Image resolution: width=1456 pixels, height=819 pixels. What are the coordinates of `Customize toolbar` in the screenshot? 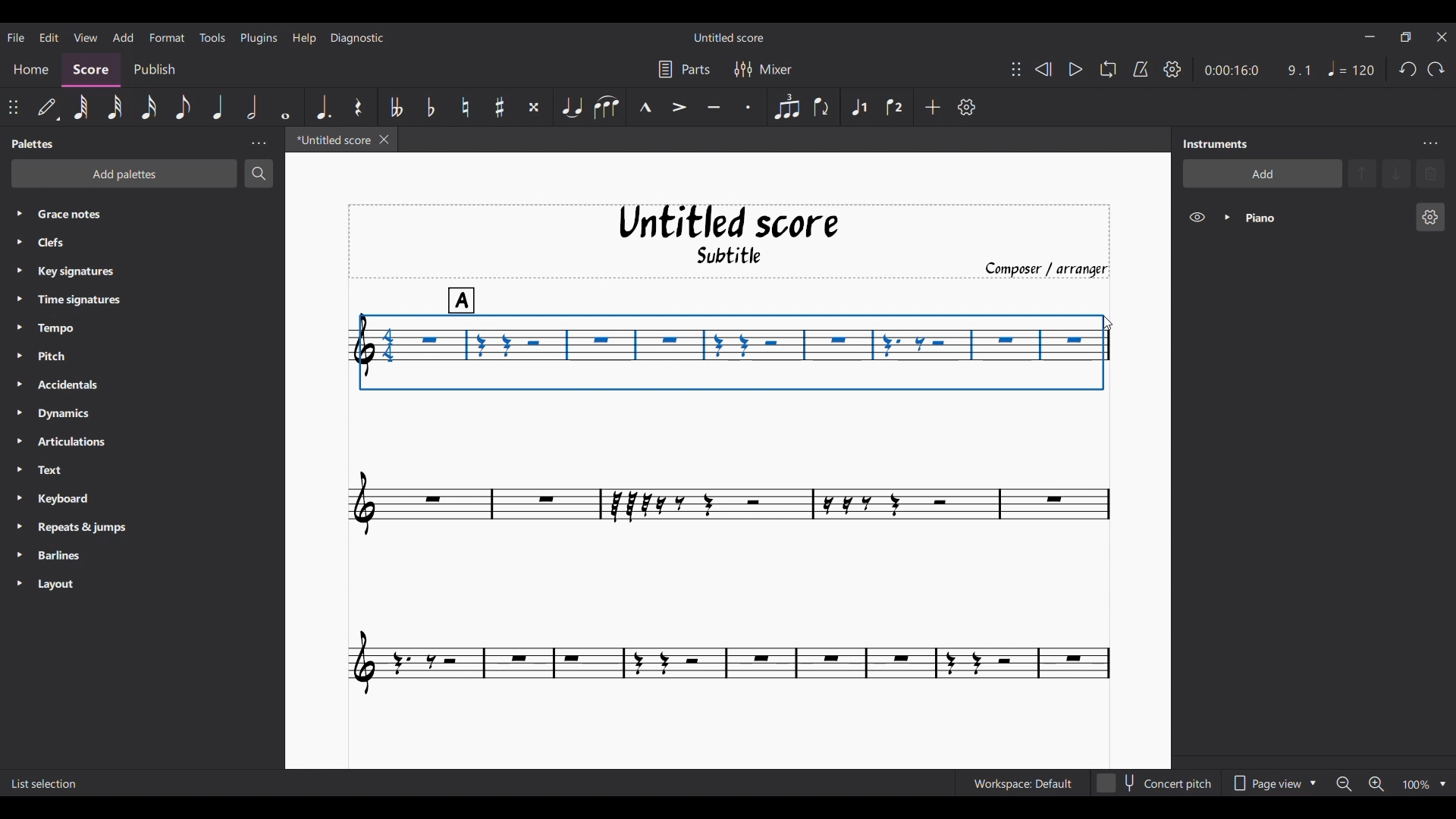 It's located at (967, 107).